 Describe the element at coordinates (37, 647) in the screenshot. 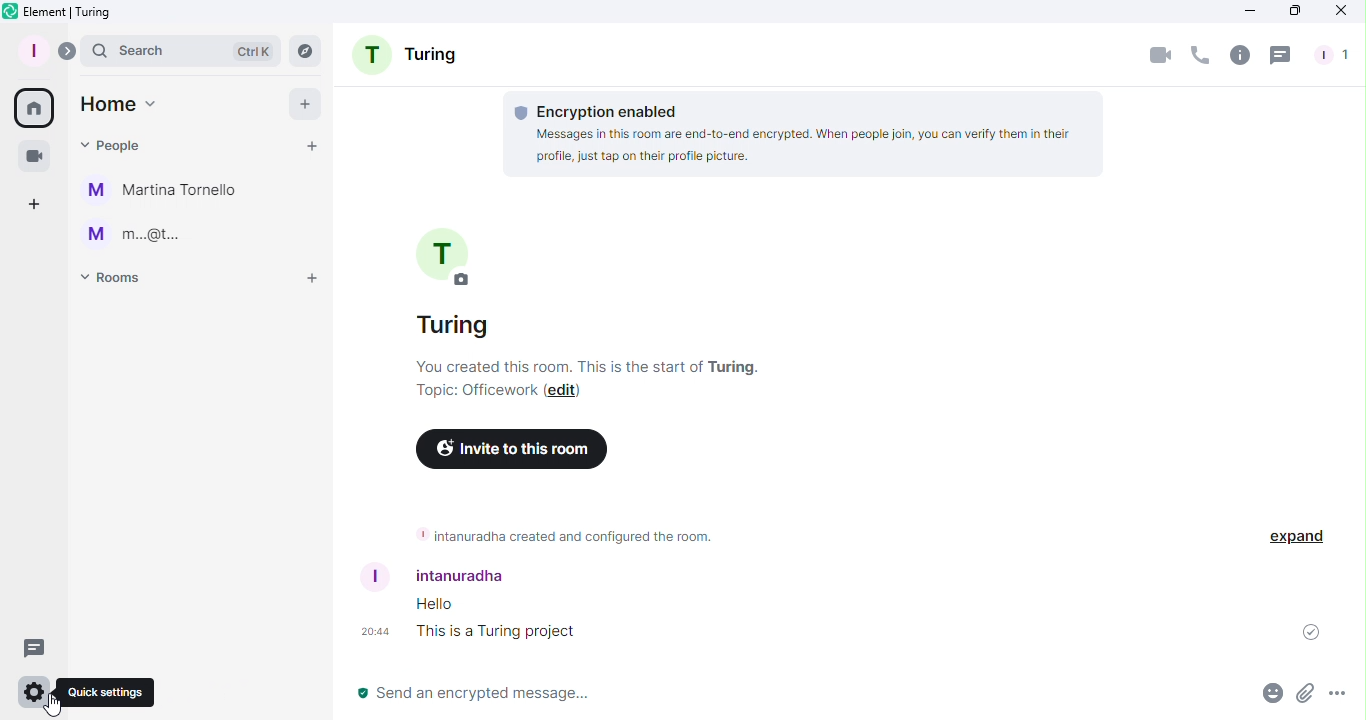

I see `Threads` at that location.